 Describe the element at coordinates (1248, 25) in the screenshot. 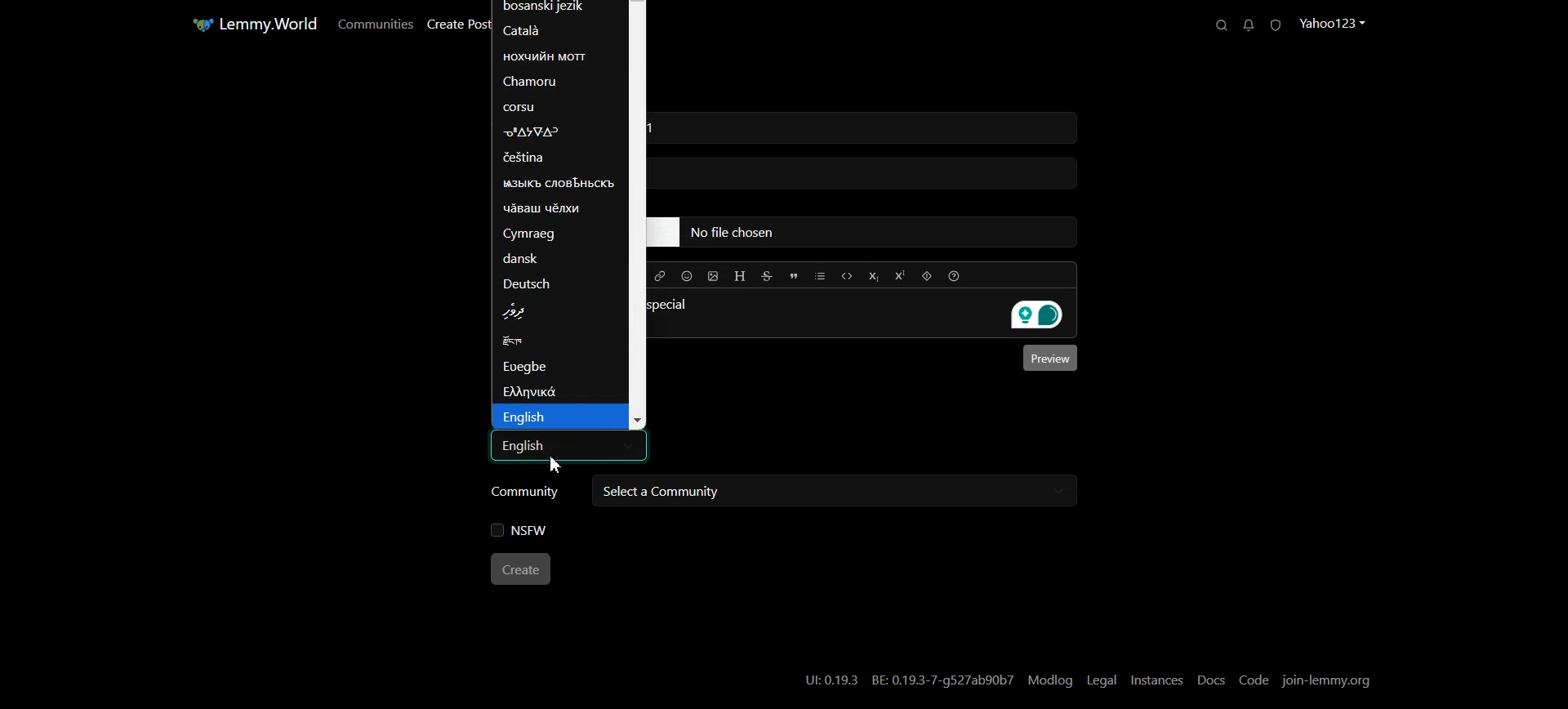

I see `Unread Messages` at that location.